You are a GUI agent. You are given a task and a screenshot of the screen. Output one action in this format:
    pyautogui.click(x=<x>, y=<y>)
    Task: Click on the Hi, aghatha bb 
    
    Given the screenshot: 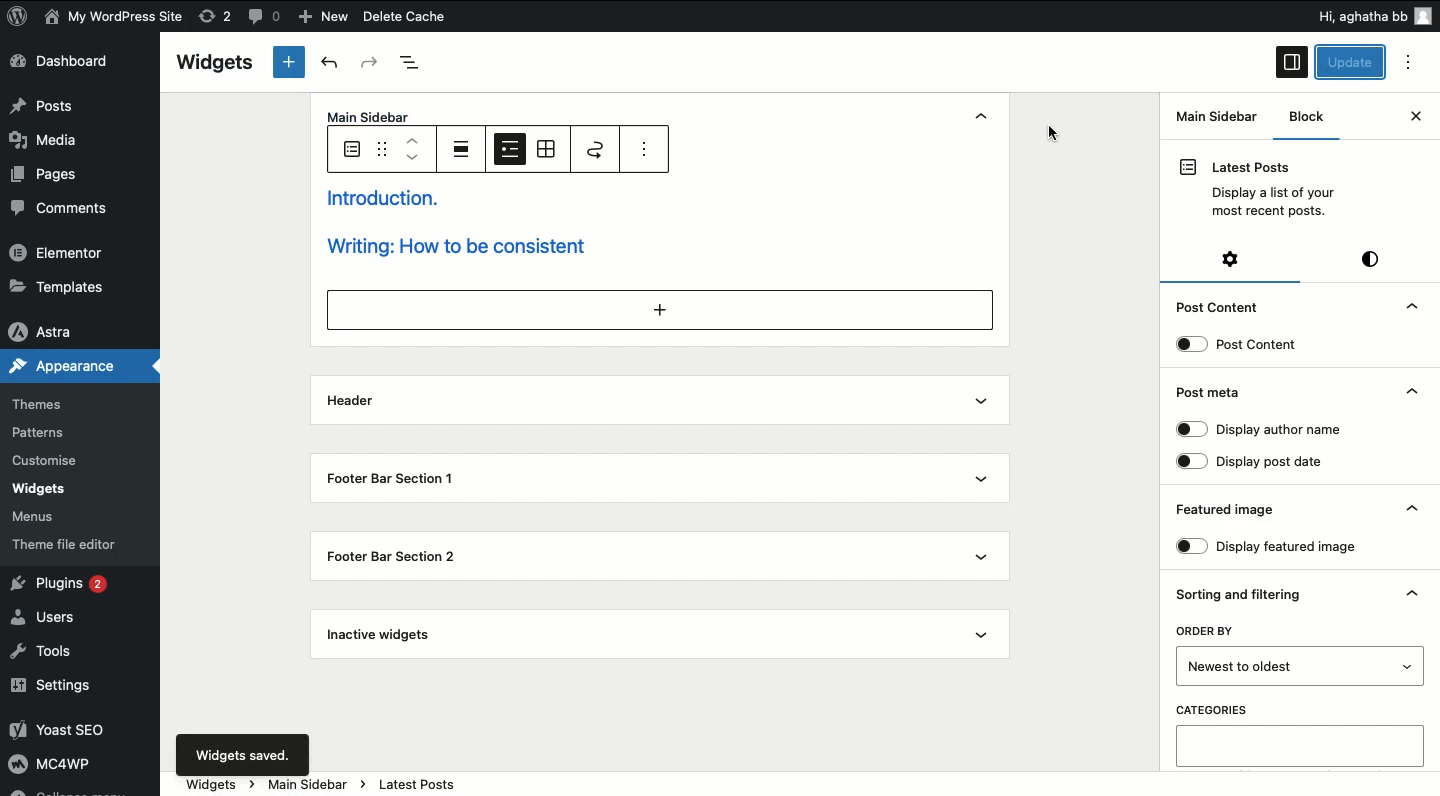 What is the action you would take?
    pyautogui.click(x=1368, y=15)
    